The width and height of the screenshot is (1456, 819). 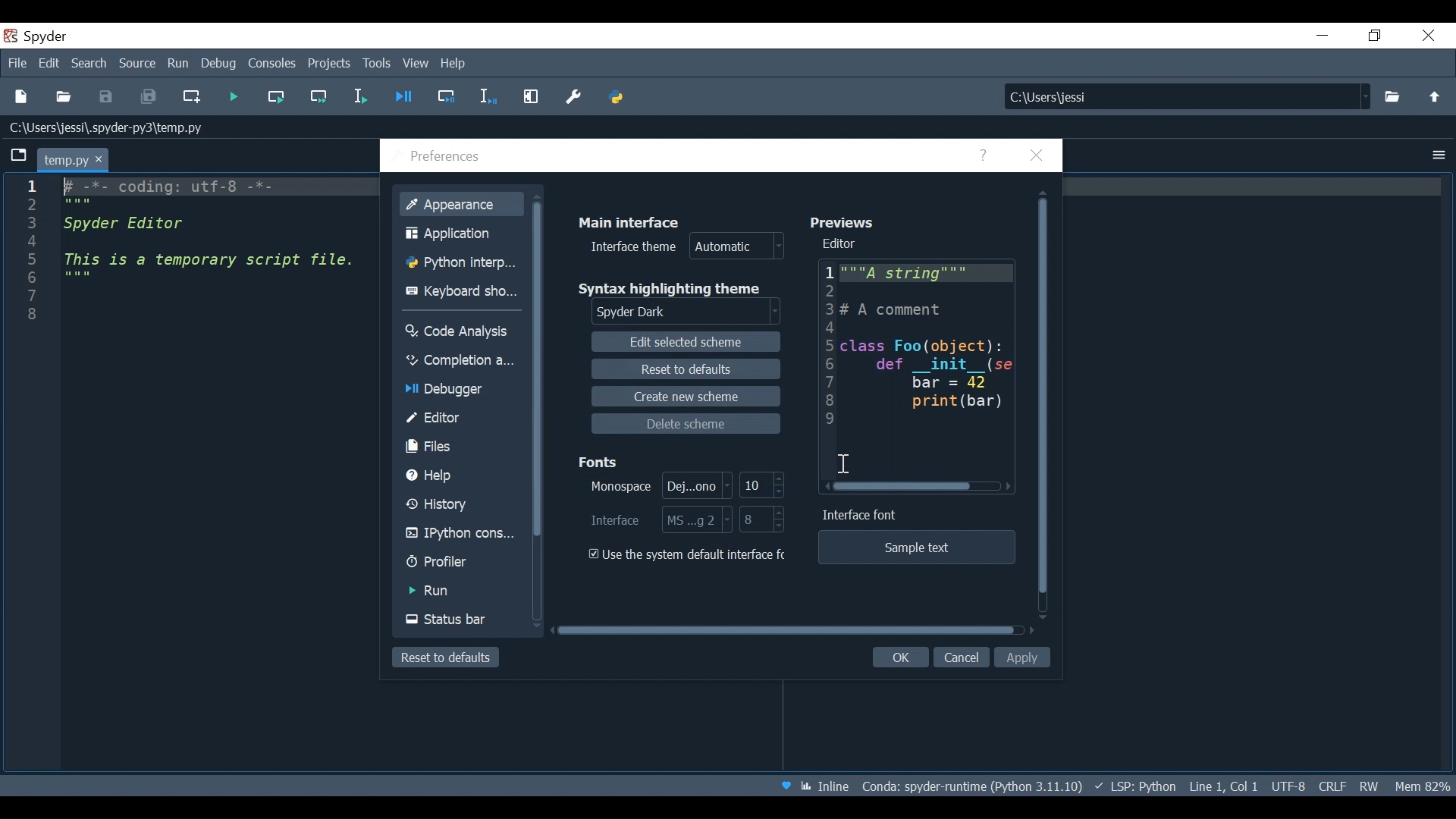 What do you see at coordinates (461, 419) in the screenshot?
I see `Editor` at bounding box center [461, 419].